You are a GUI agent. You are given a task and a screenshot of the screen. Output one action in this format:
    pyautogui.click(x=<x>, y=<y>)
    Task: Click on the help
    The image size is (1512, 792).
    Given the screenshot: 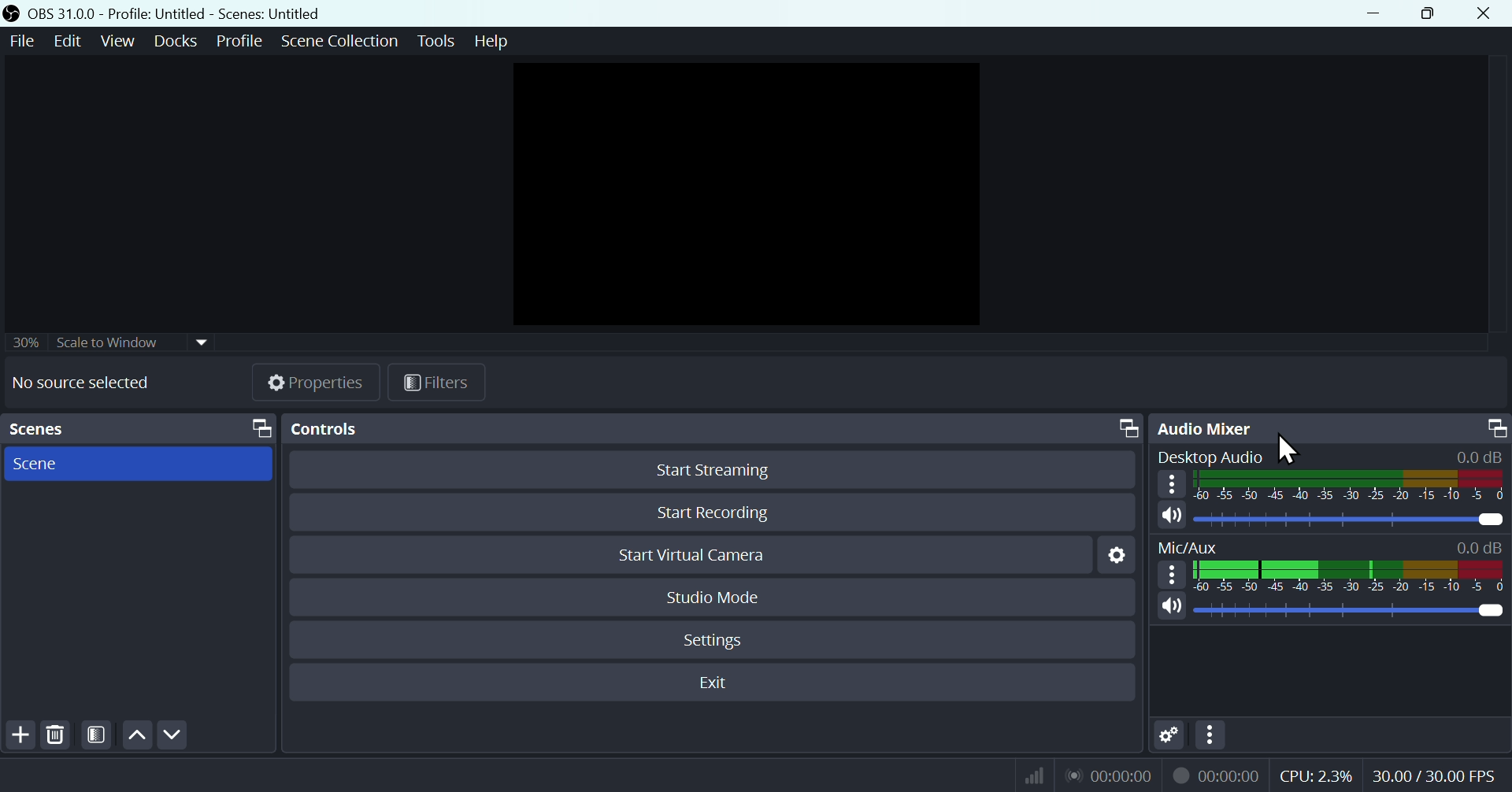 What is the action you would take?
    pyautogui.click(x=493, y=40)
    